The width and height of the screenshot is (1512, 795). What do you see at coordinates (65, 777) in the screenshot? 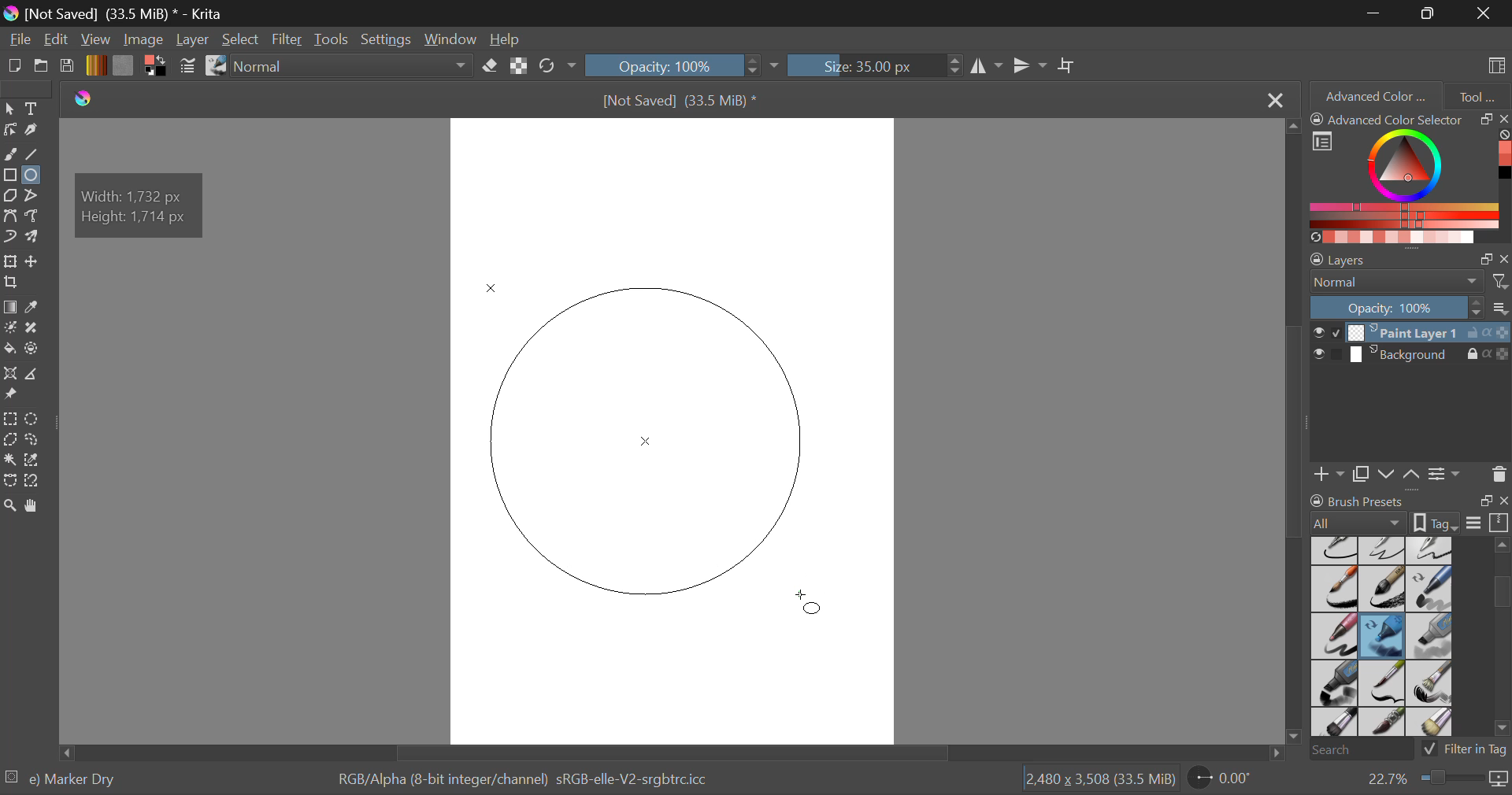
I see `Selected Brush Preset` at bounding box center [65, 777].